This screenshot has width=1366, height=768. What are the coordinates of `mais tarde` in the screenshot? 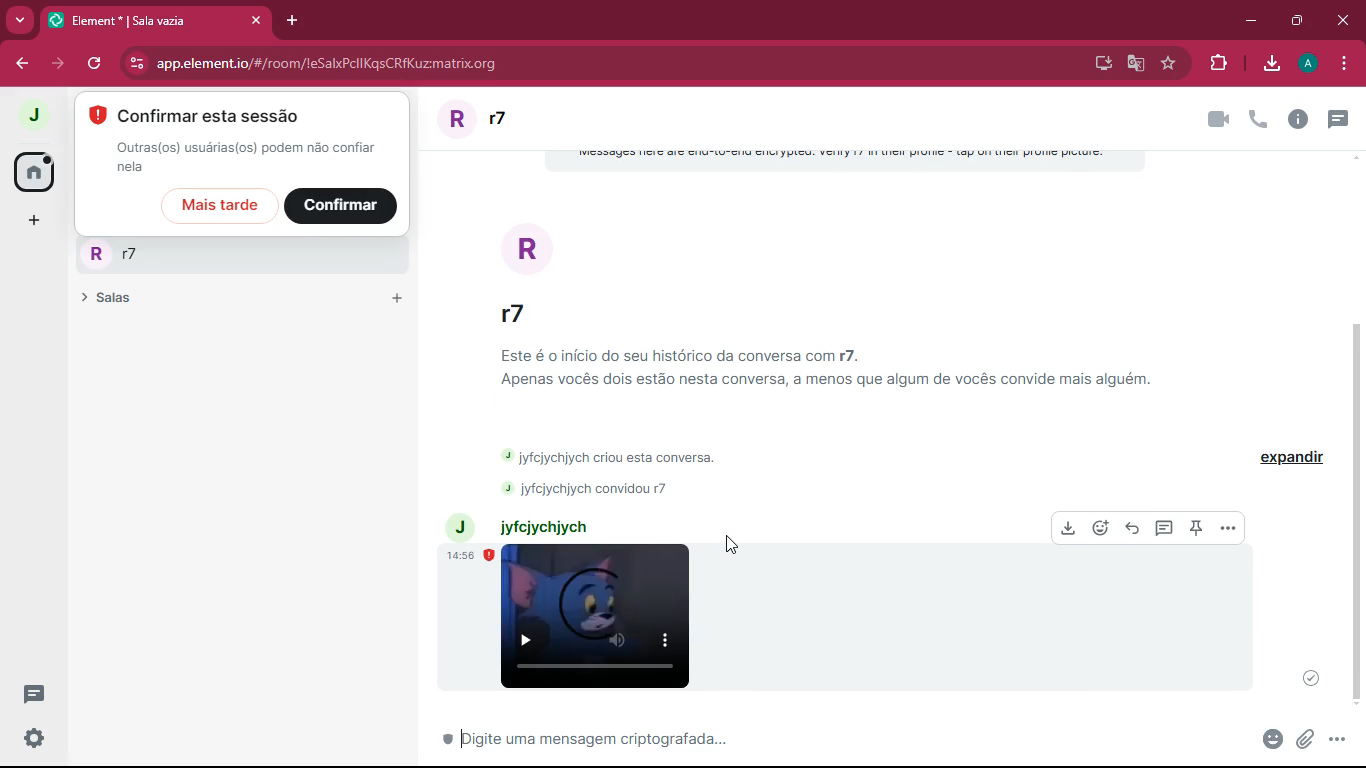 It's located at (219, 207).